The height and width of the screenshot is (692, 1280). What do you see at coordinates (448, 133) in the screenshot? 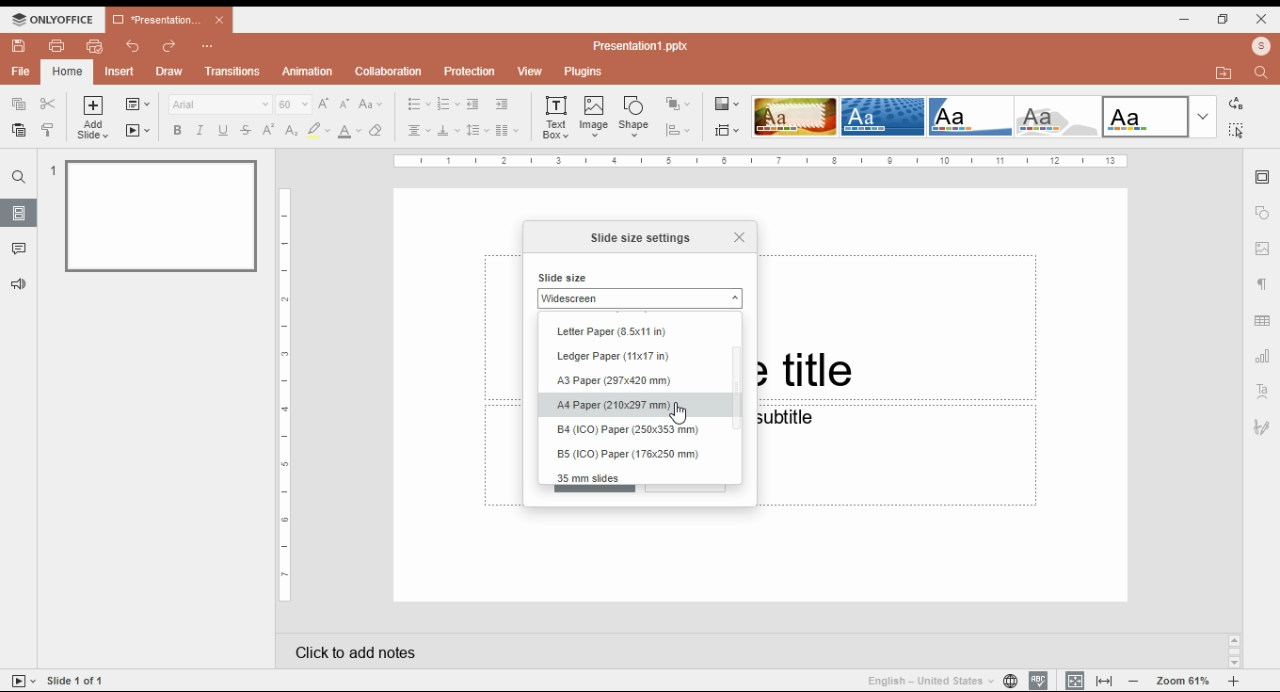
I see `vertical alignment` at bounding box center [448, 133].